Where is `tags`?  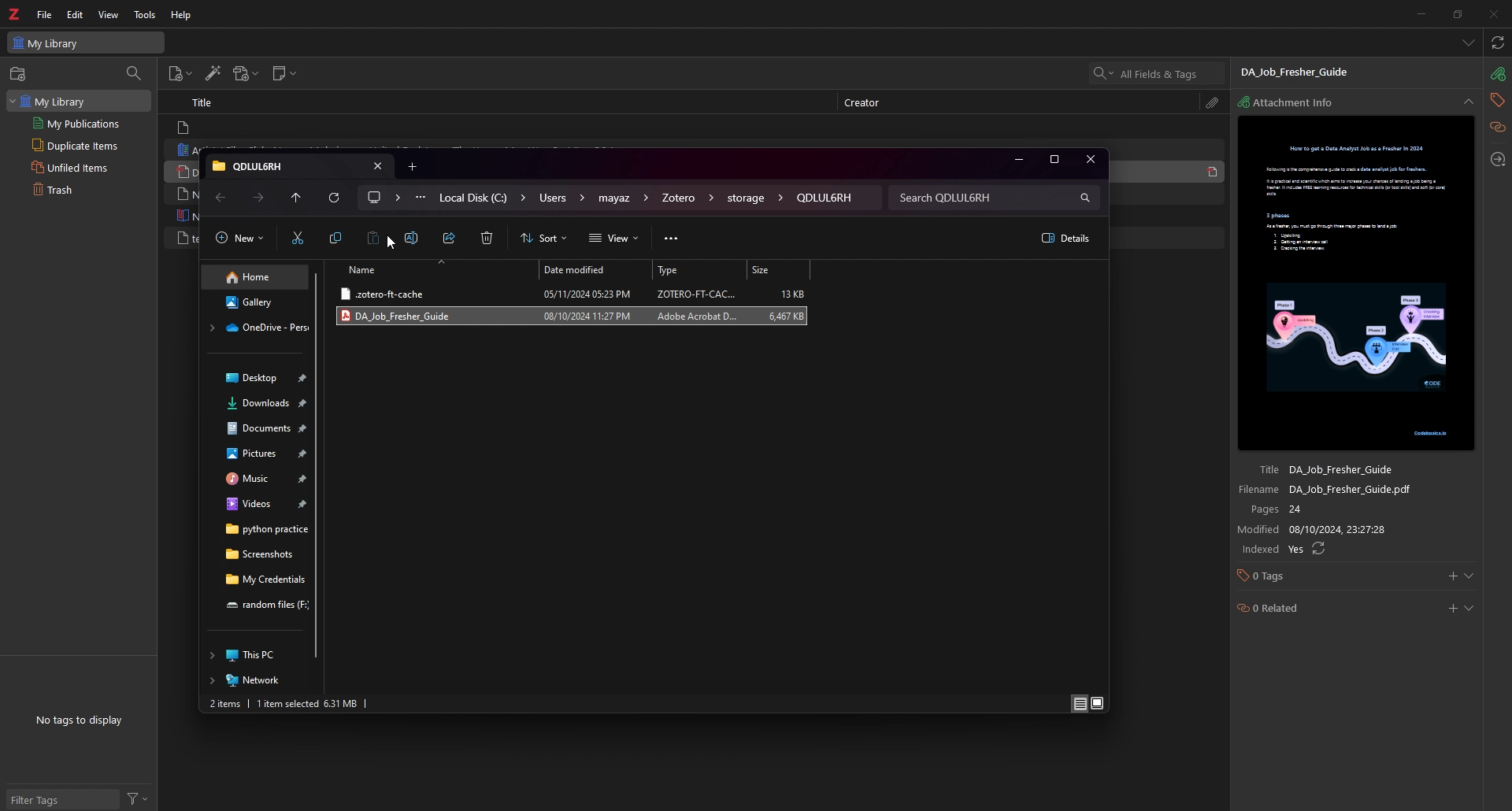 tags is located at coordinates (1316, 578).